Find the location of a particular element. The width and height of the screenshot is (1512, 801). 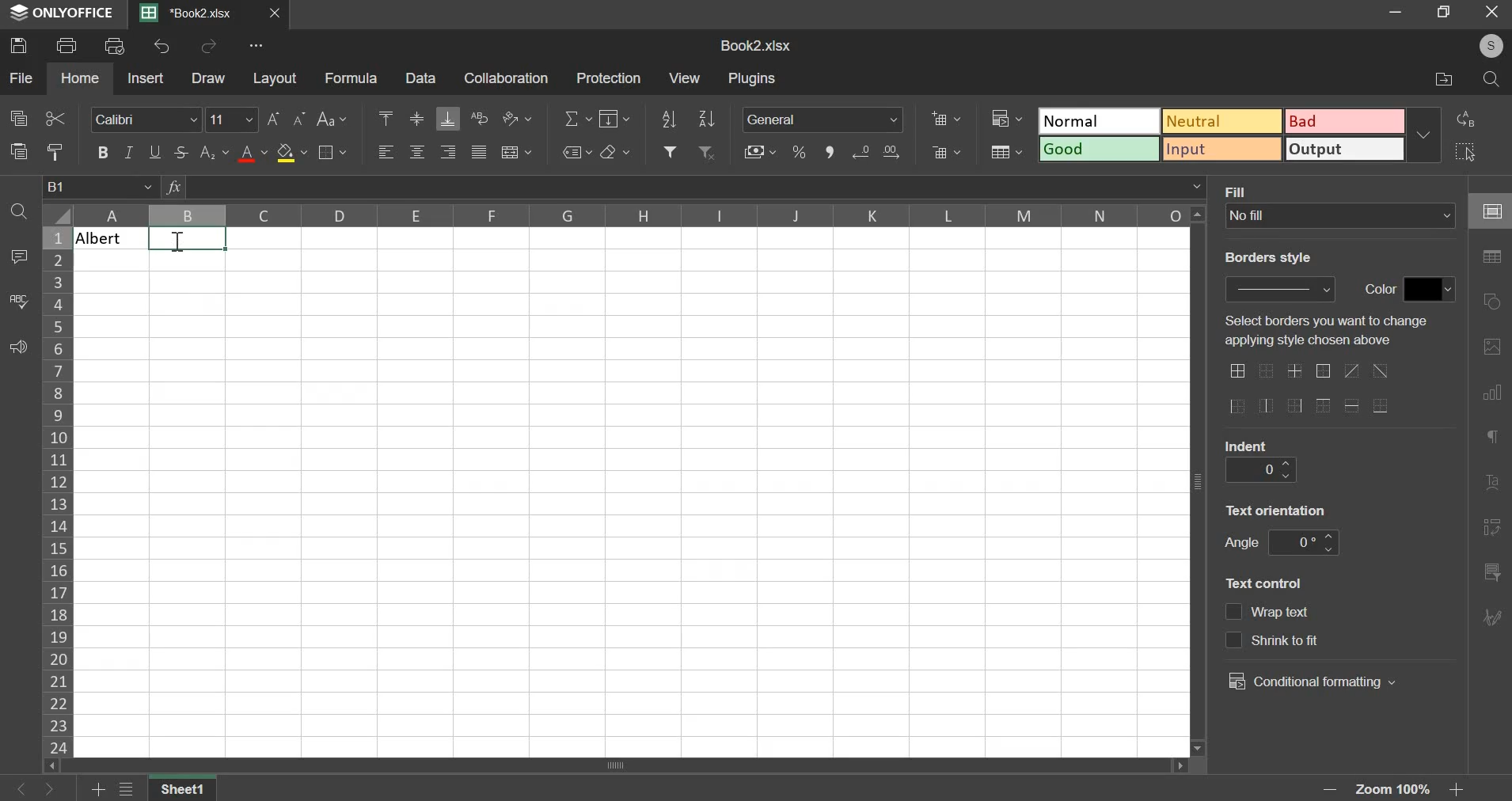

remove filter is located at coordinates (708, 152).